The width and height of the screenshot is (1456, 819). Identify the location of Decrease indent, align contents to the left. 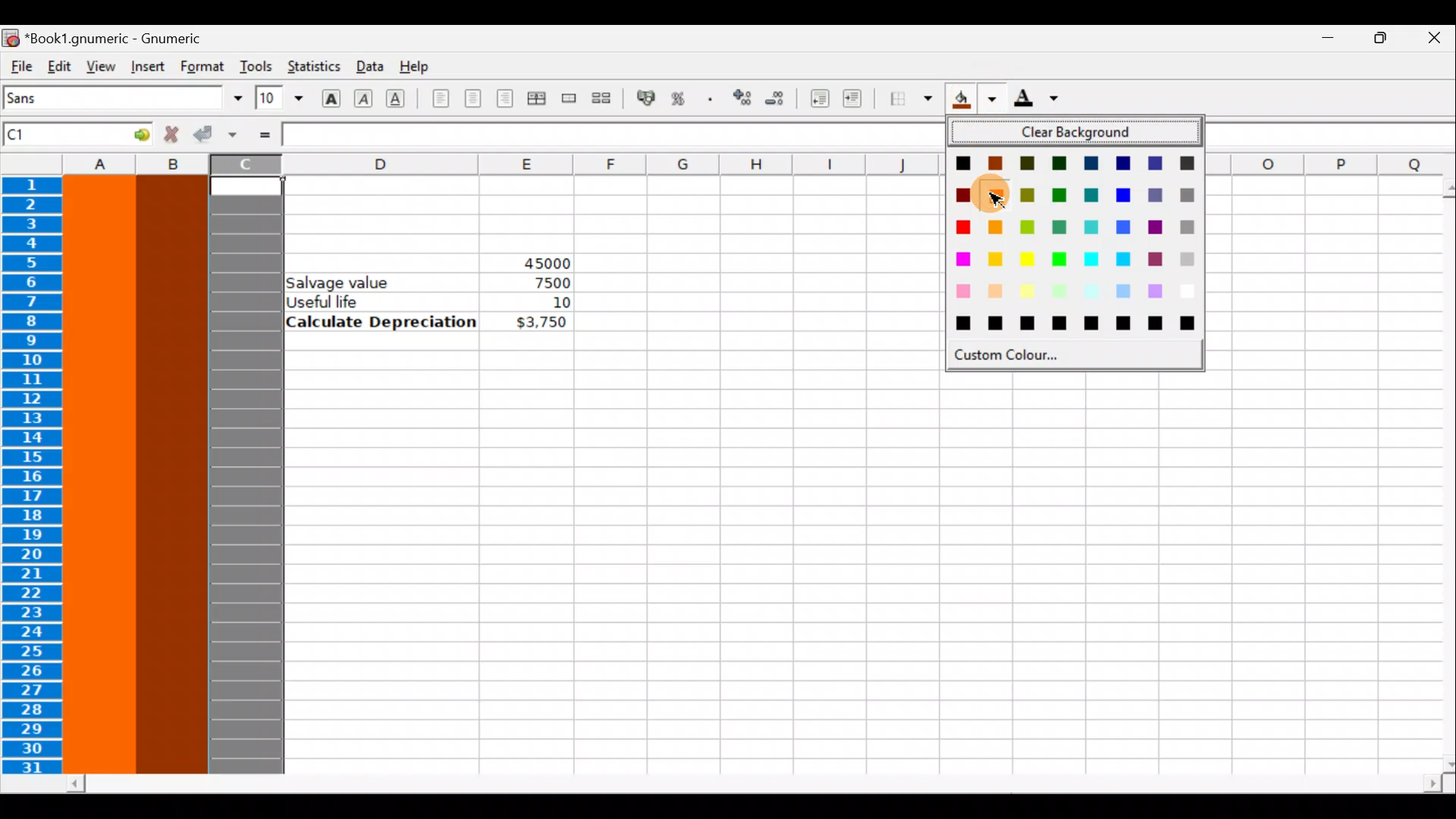
(815, 99).